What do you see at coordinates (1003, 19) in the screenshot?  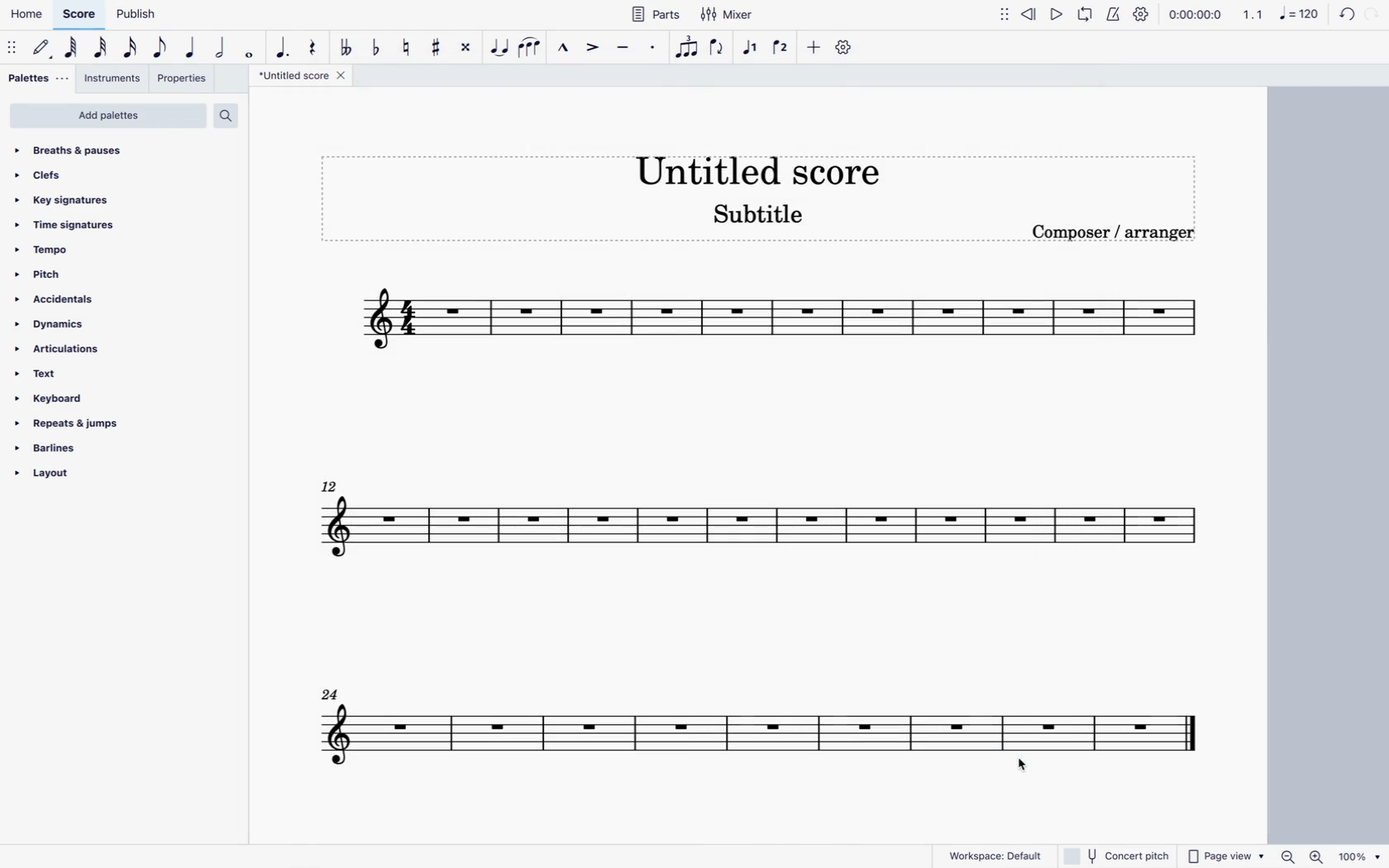 I see `show/hide` at bounding box center [1003, 19].